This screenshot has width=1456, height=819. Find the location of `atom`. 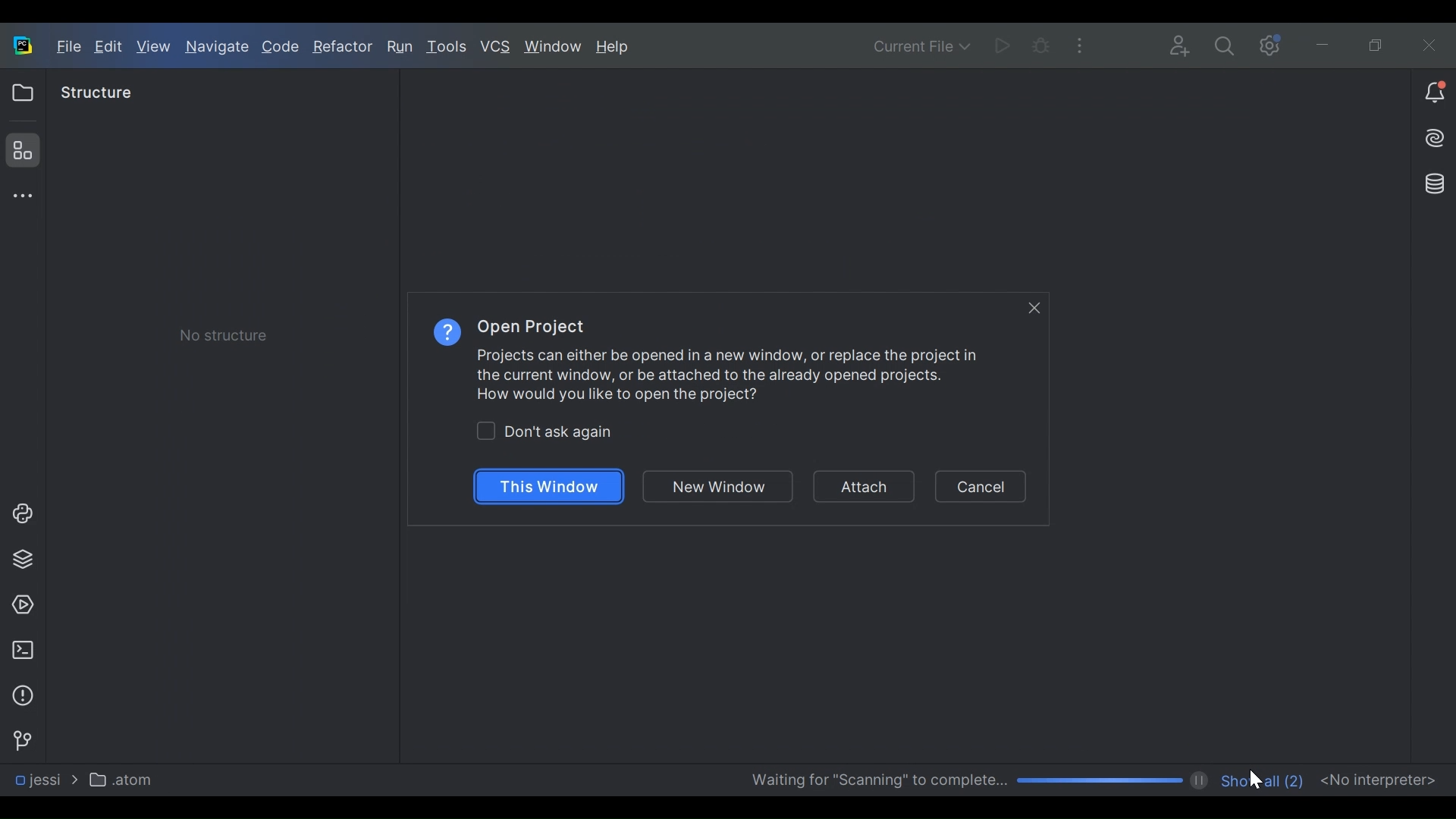

atom is located at coordinates (124, 780).